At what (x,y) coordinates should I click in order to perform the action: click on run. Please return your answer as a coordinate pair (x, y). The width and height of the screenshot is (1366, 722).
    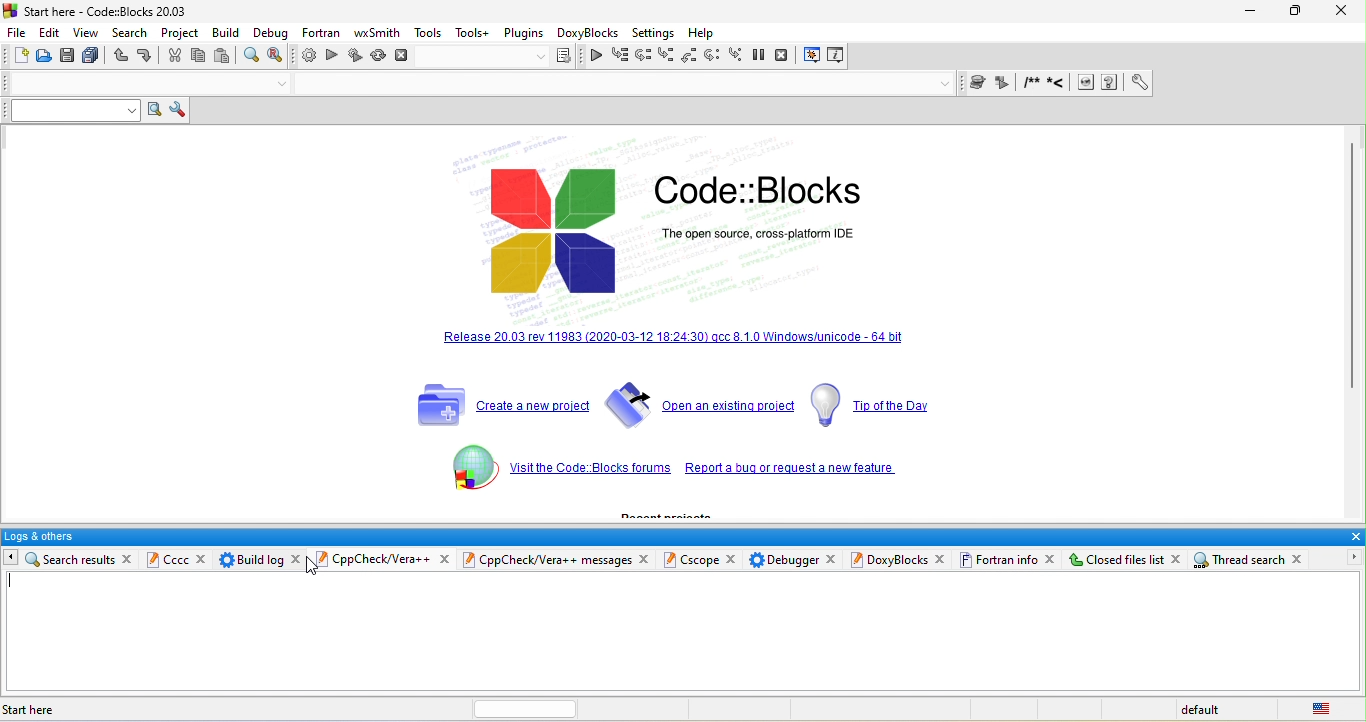
    Looking at the image, I should click on (332, 57).